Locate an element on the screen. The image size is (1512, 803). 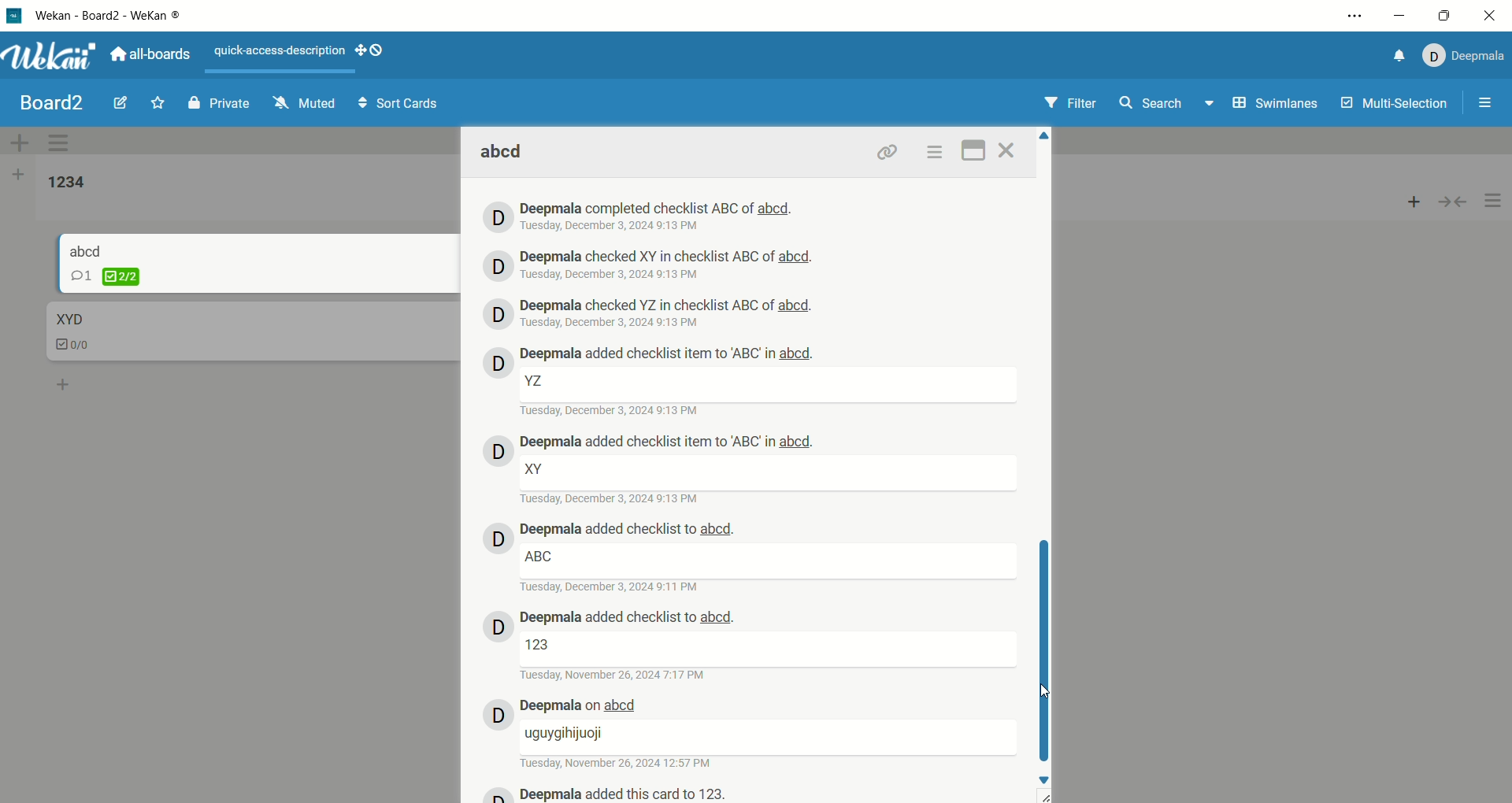
checklist is located at coordinates (75, 346).